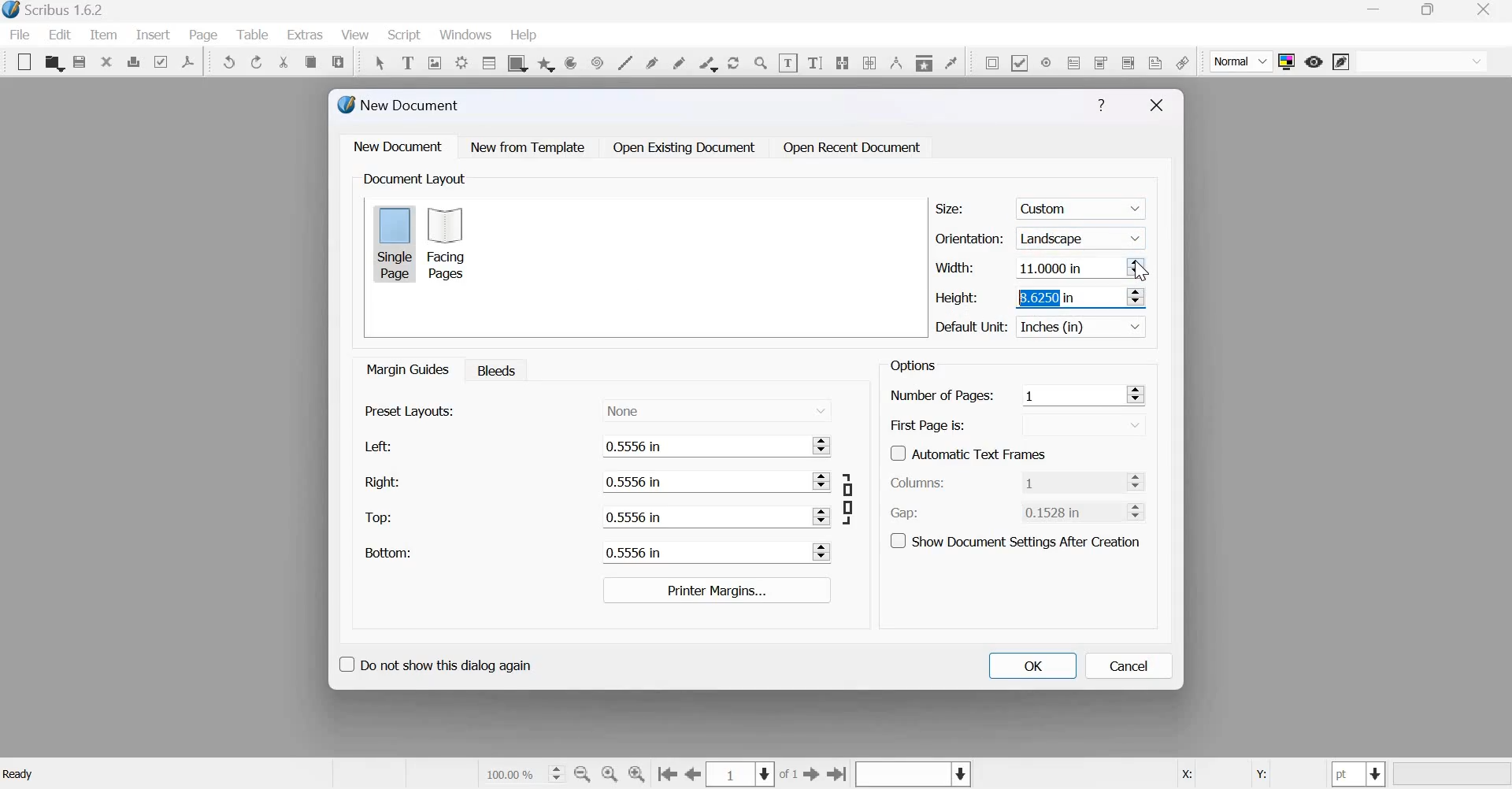 The image size is (1512, 789). I want to click on Normal, so click(1242, 62).